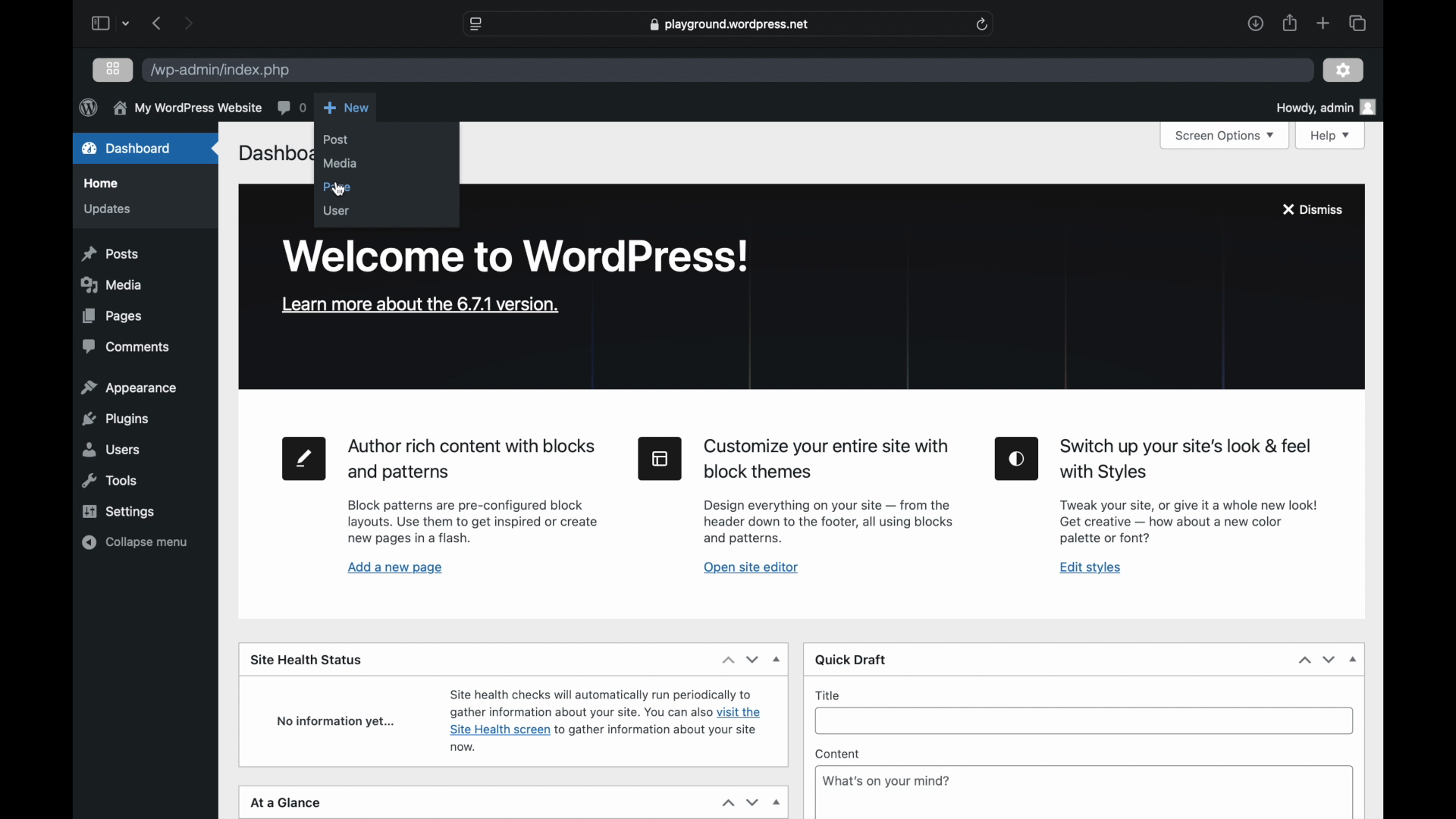  What do you see at coordinates (337, 211) in the screenshot?
I see `user` at bounding box center [337, 211].